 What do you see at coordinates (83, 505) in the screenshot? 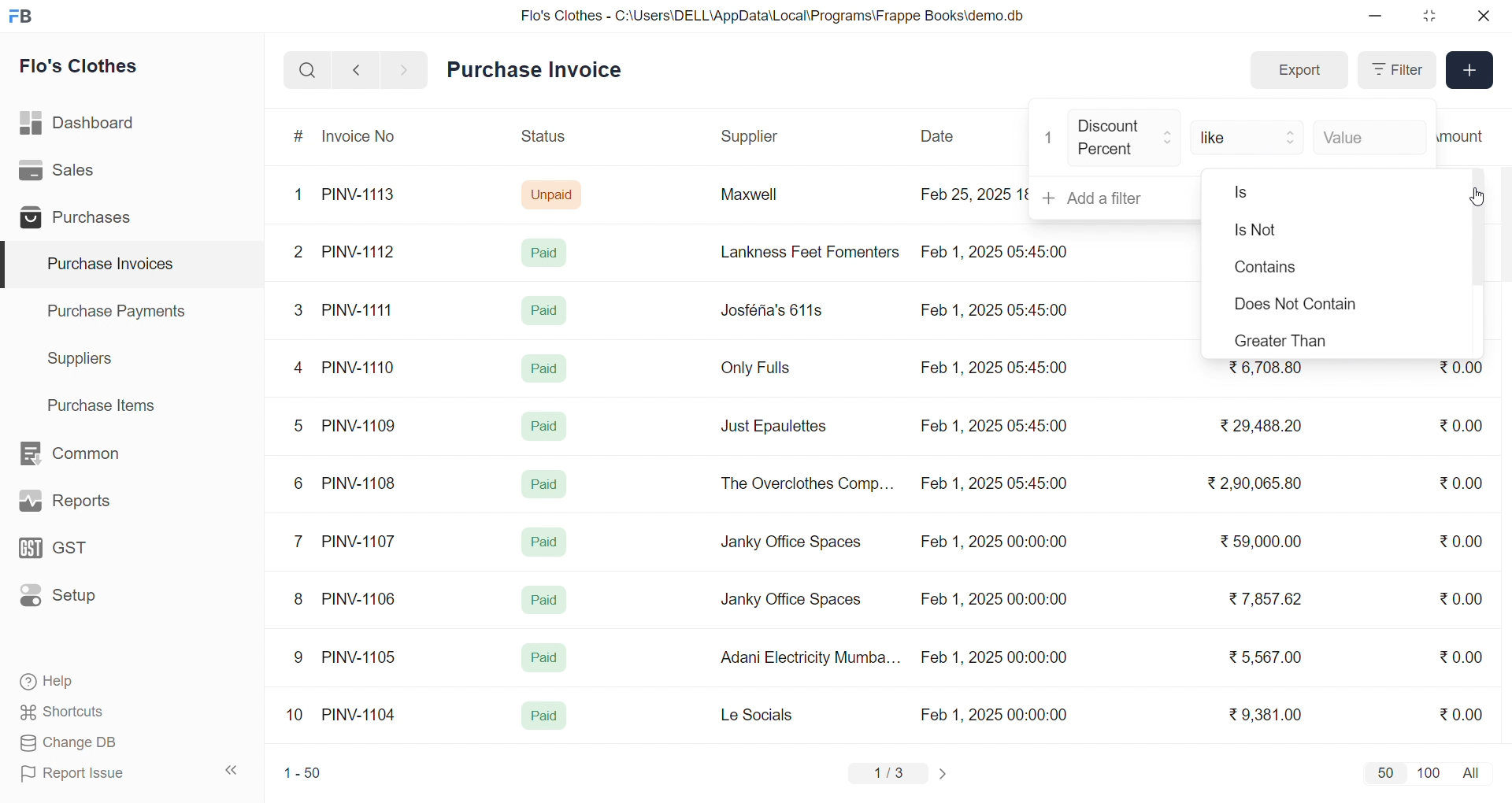
I see `Reports` at bounding box center [83, 505].